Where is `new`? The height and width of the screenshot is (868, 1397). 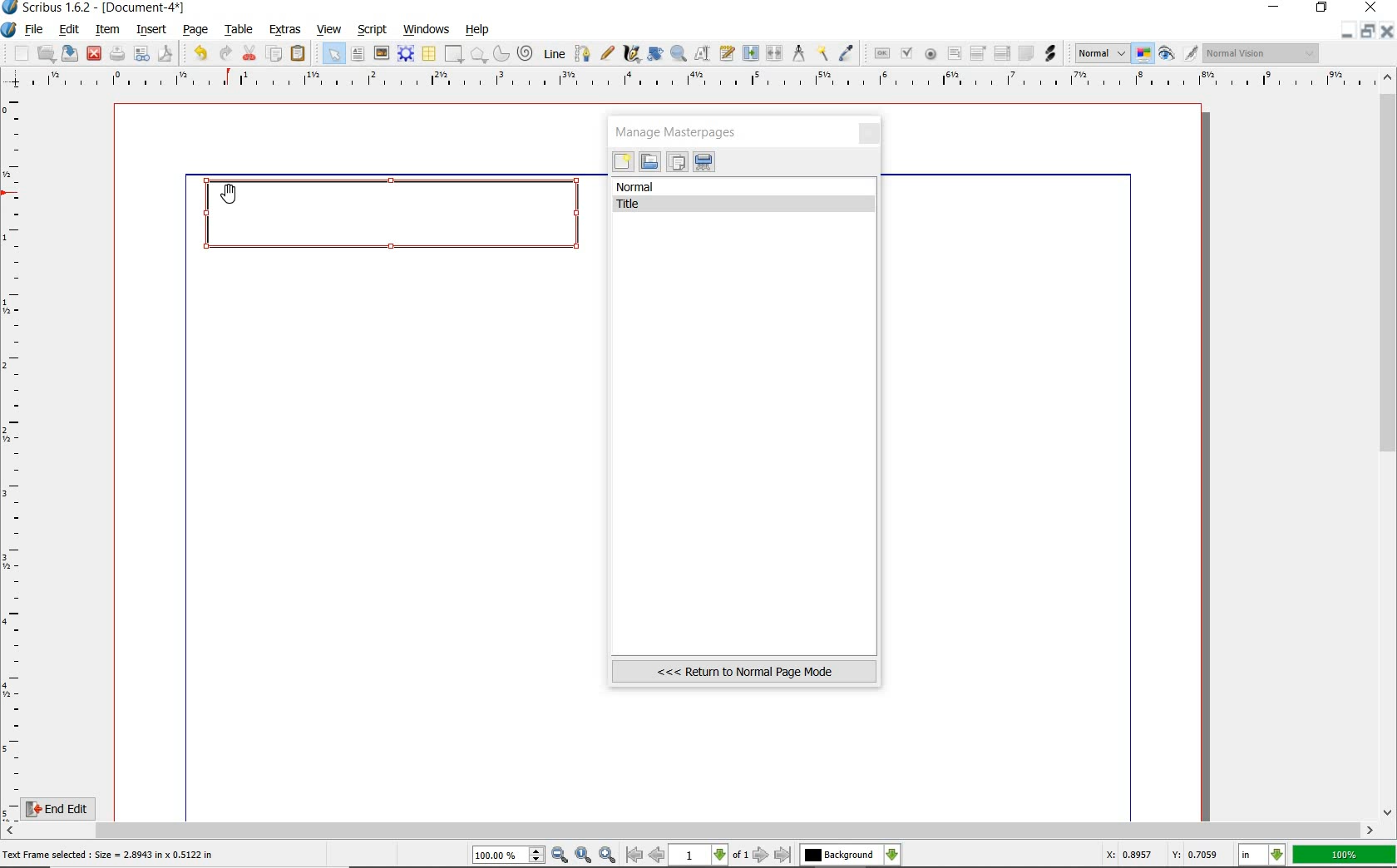 new is located at coordinates (623, 164).